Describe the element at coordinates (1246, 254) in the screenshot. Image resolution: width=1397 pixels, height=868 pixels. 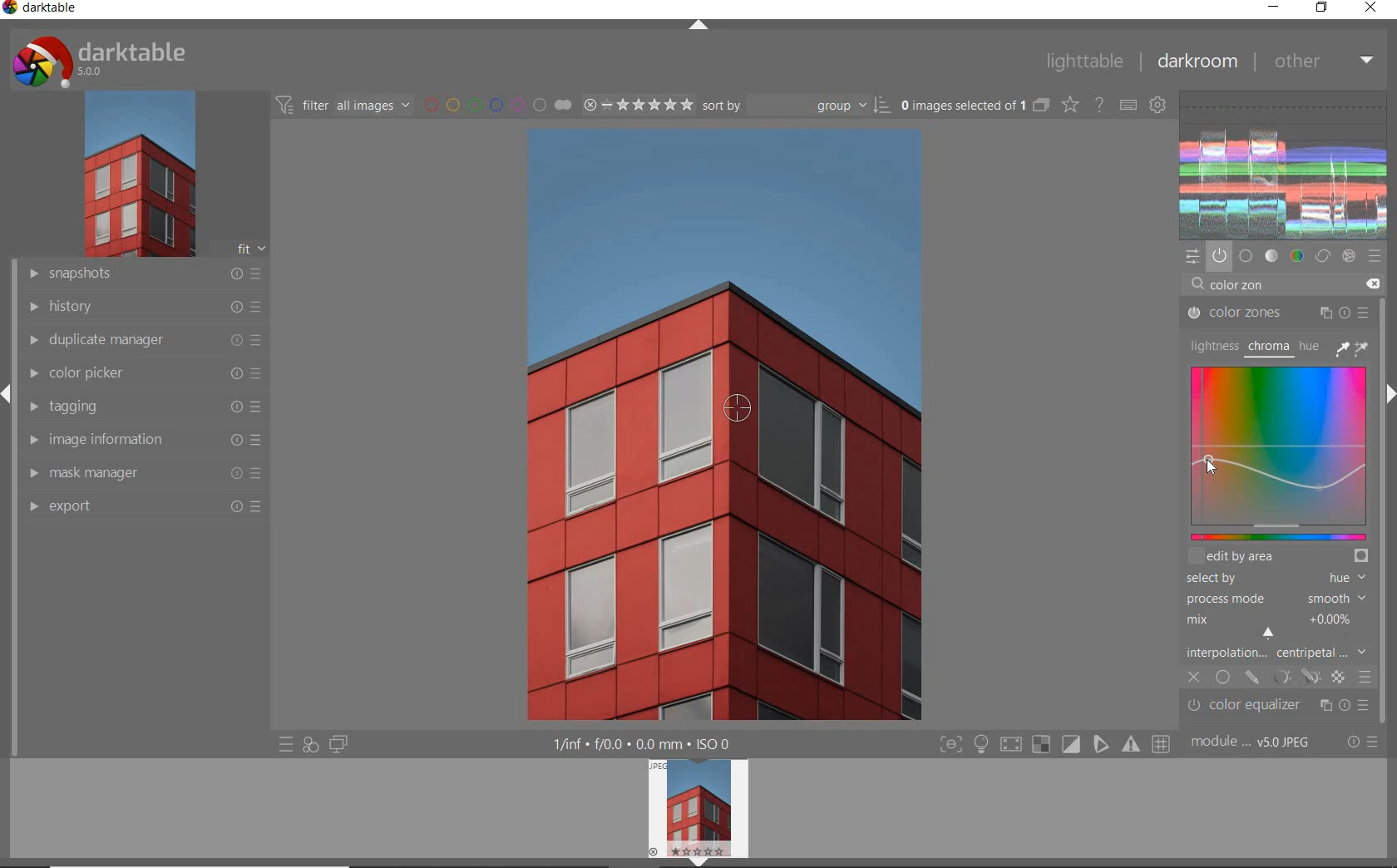
I see `base` at that location.